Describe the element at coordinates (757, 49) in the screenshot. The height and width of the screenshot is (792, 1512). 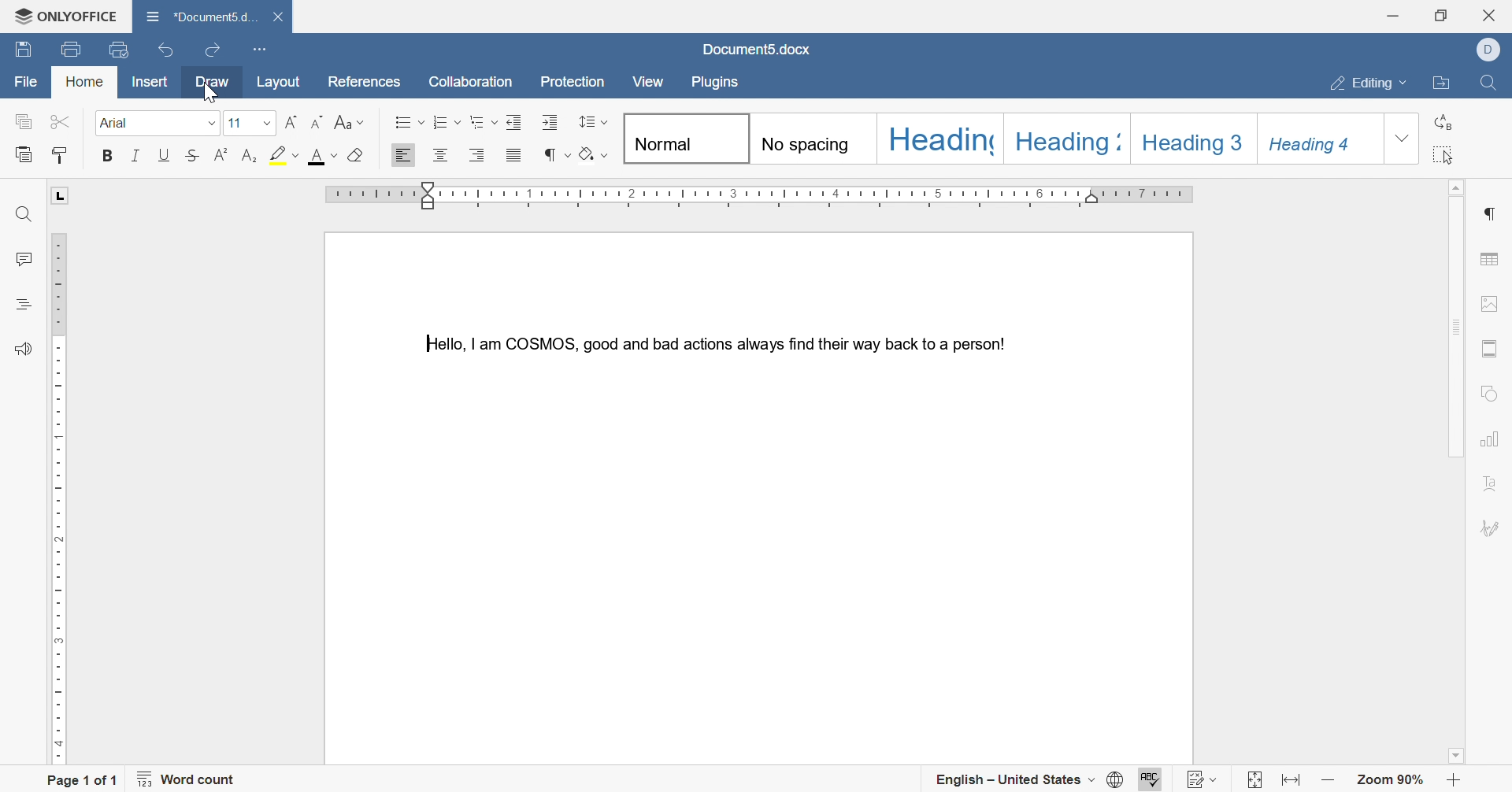
I see `document5.docx` at that location.